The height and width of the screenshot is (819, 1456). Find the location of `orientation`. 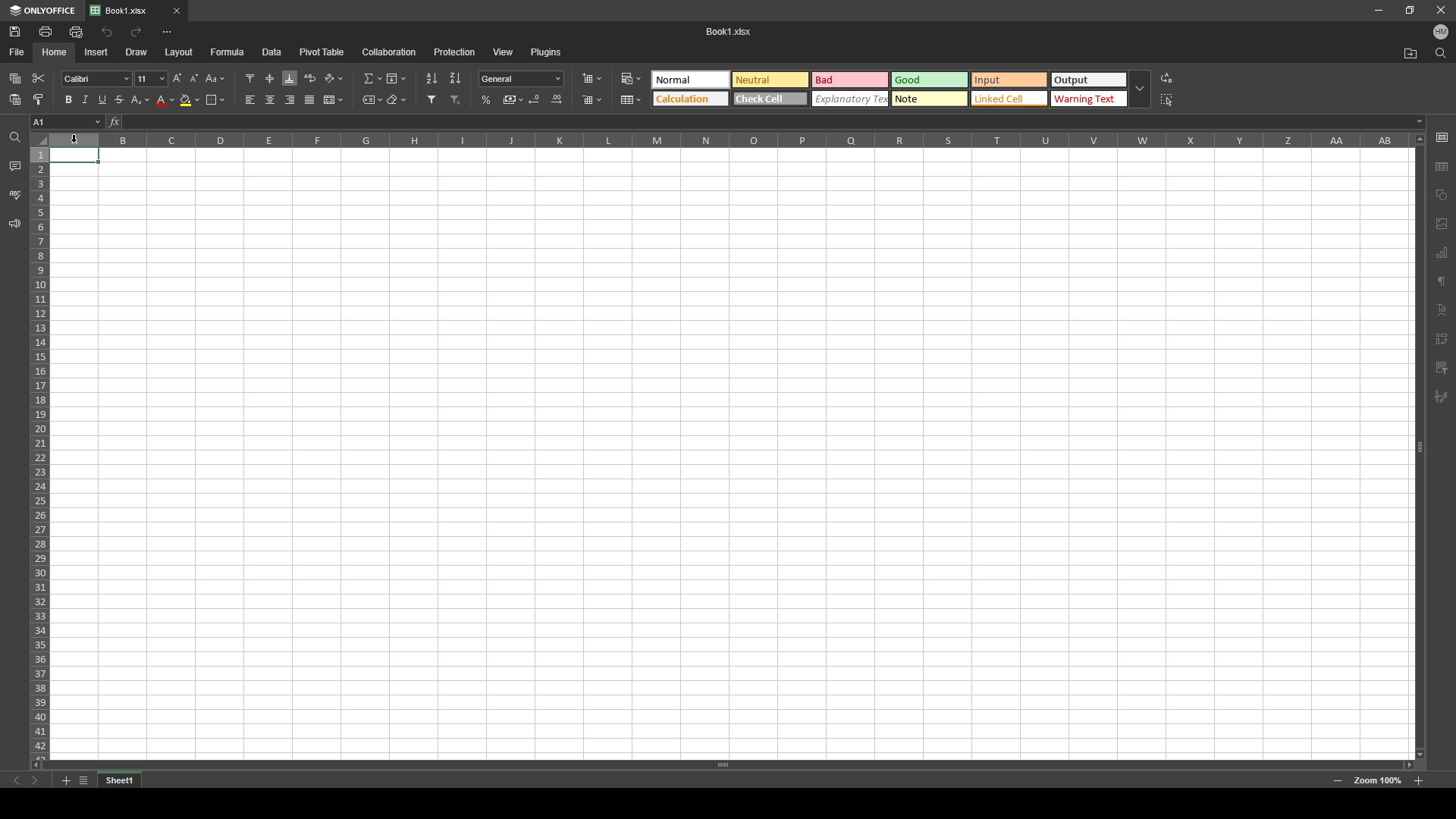

orientation is located at coordinates (334, 79).